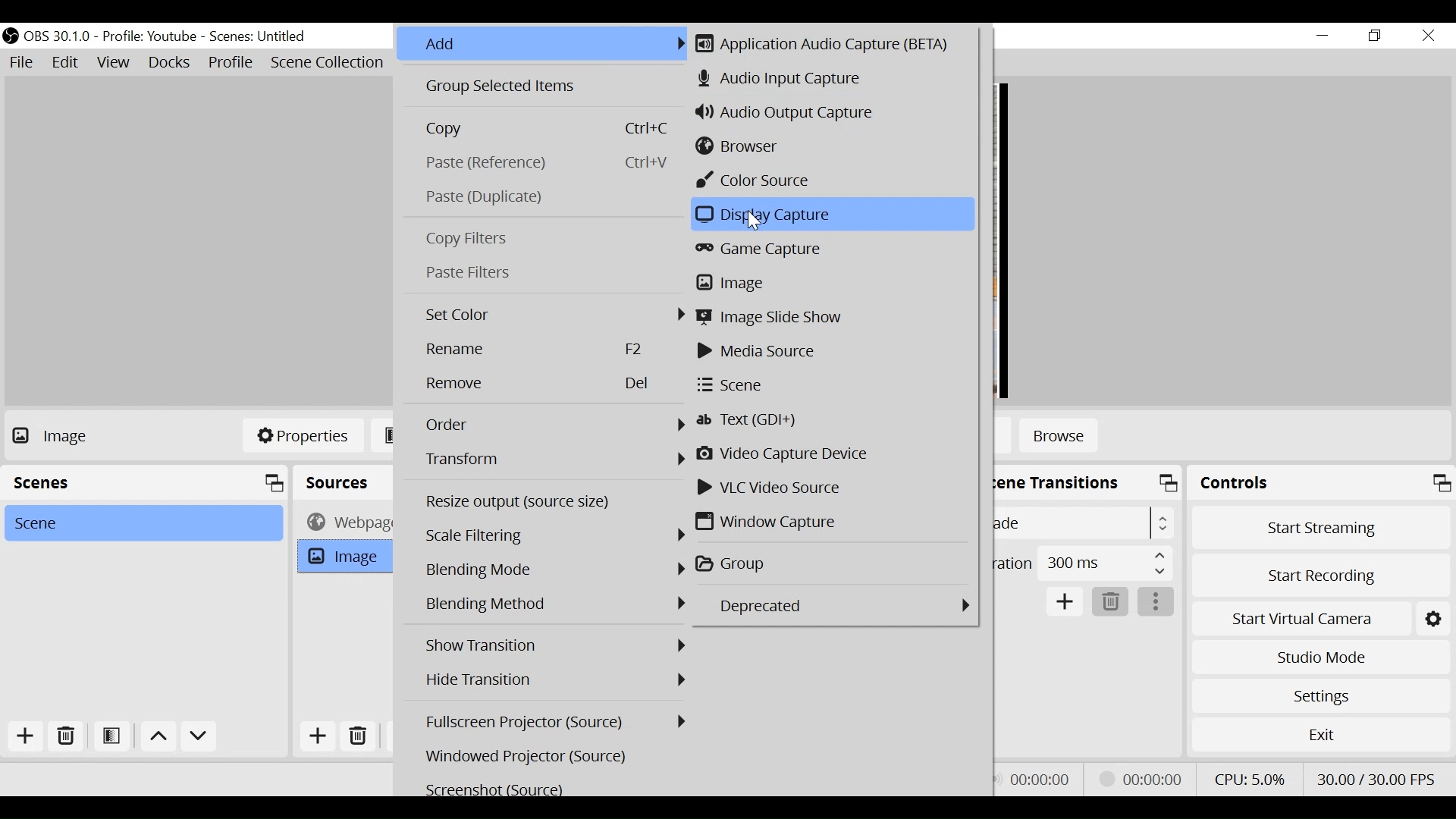  I want to click on Set Color, so click(552, 315).